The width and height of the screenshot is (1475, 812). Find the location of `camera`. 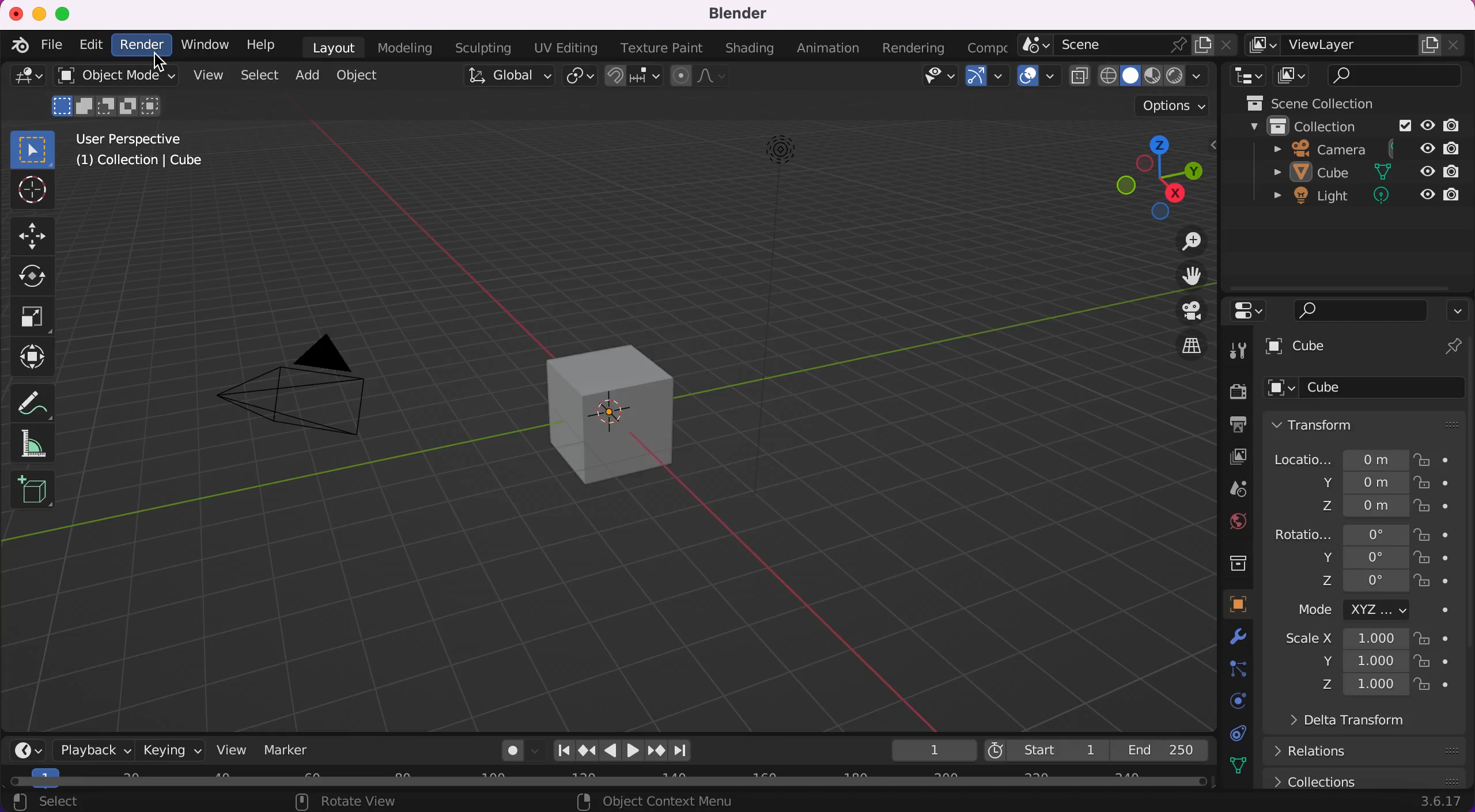

camera is located at coordinates (302, 381).